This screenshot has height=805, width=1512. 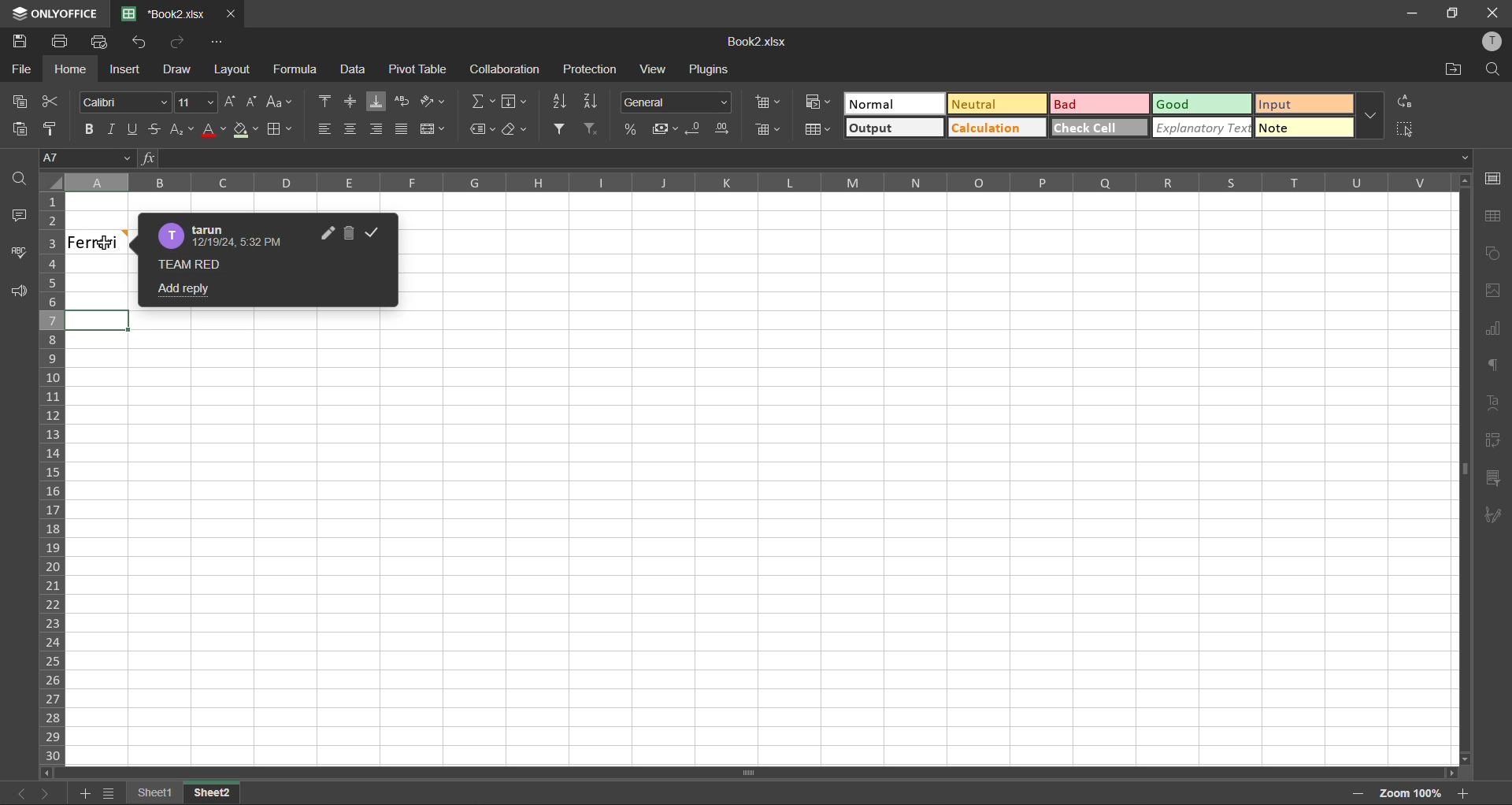 What do you see at coordinates (484, 102) in the screenshot?
I see `summation` at bounding box center [484, 102].